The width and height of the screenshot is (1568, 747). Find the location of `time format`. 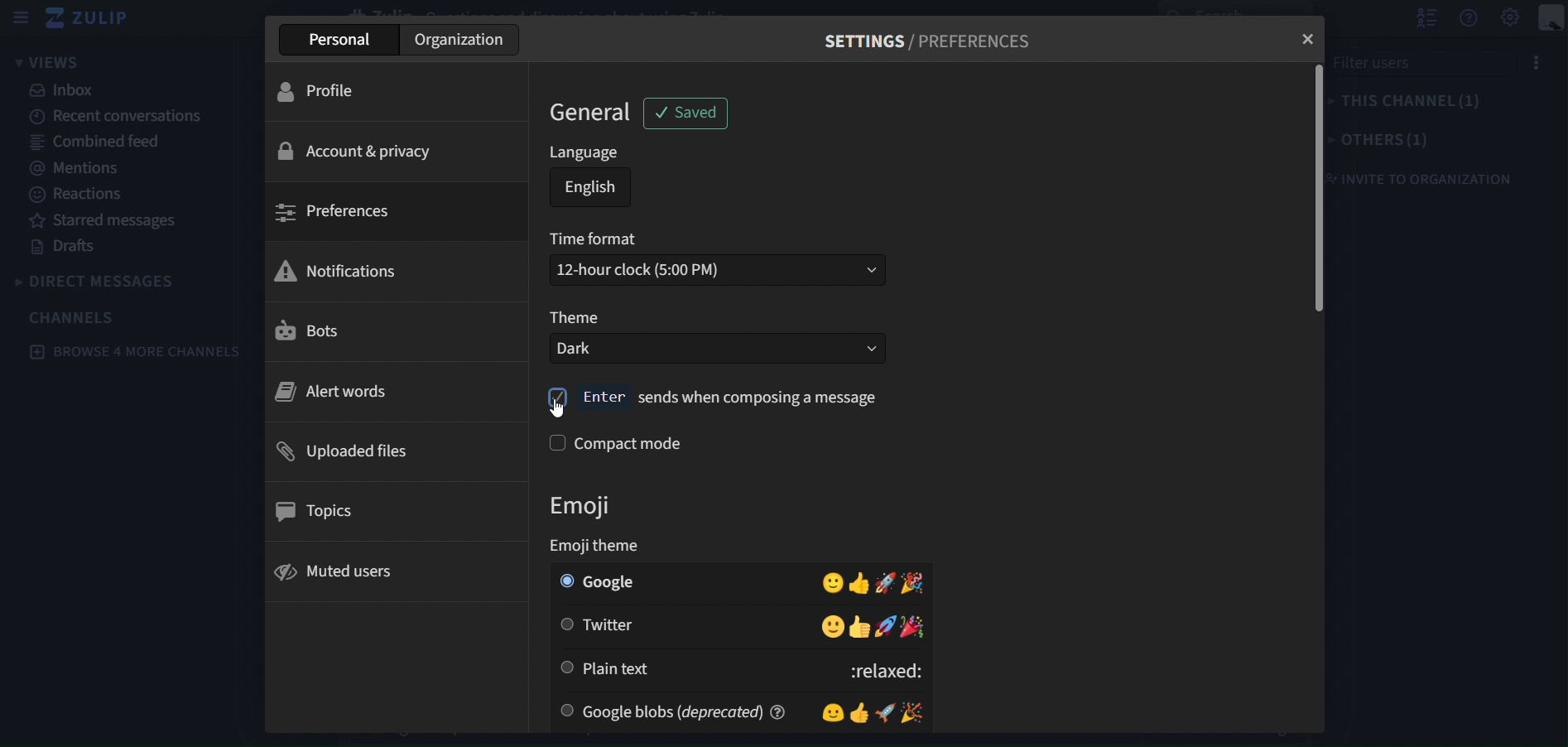

time format is located at coordinates (596, 238).